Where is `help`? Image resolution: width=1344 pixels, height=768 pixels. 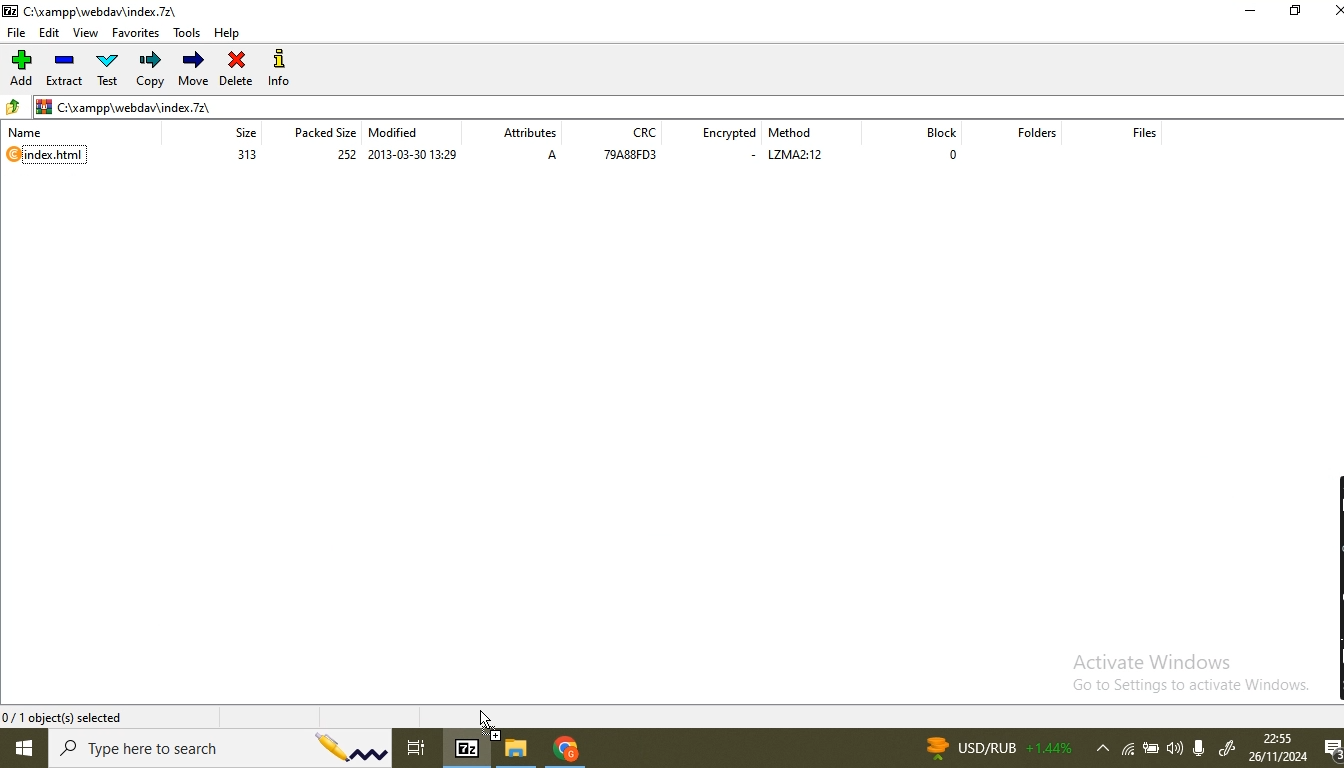
help is located at coordinates (230, 32).